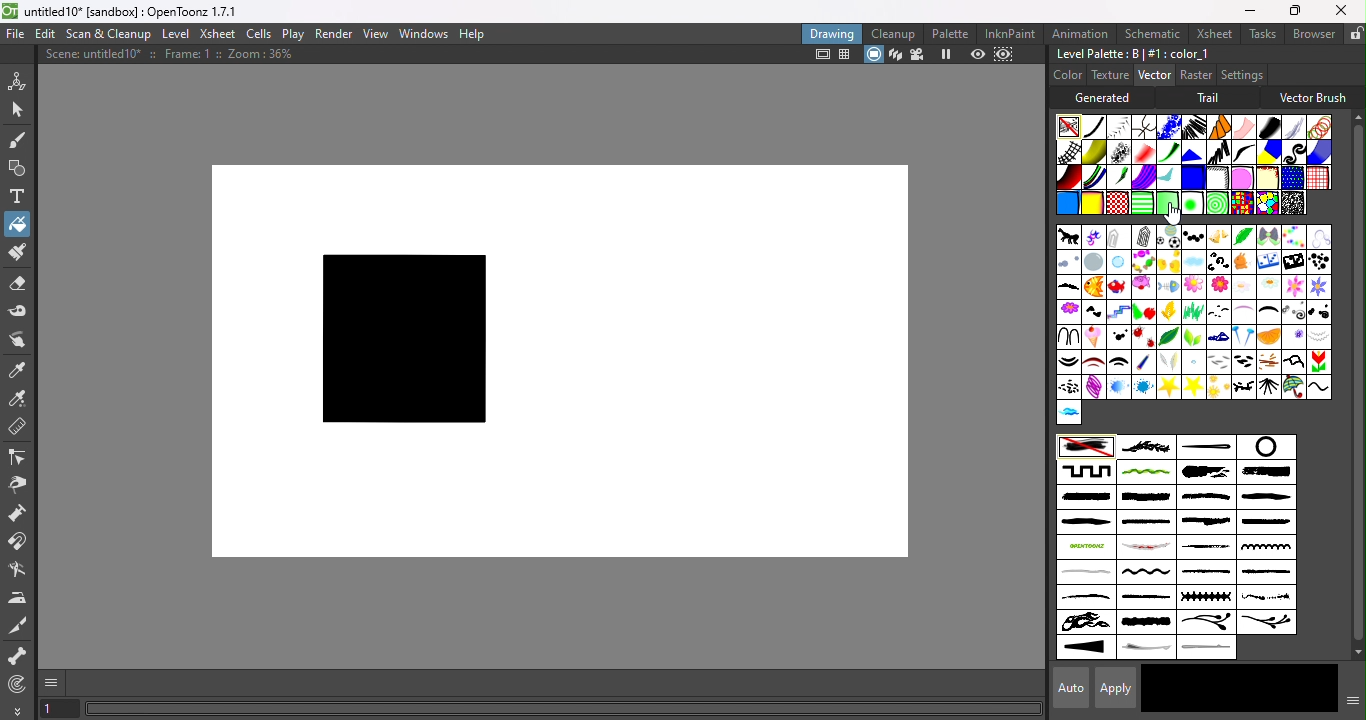  What do you see at coordinates (1318, 127) in the screenshot?
I see `Bubbles` at bounding box center [1318, 127].